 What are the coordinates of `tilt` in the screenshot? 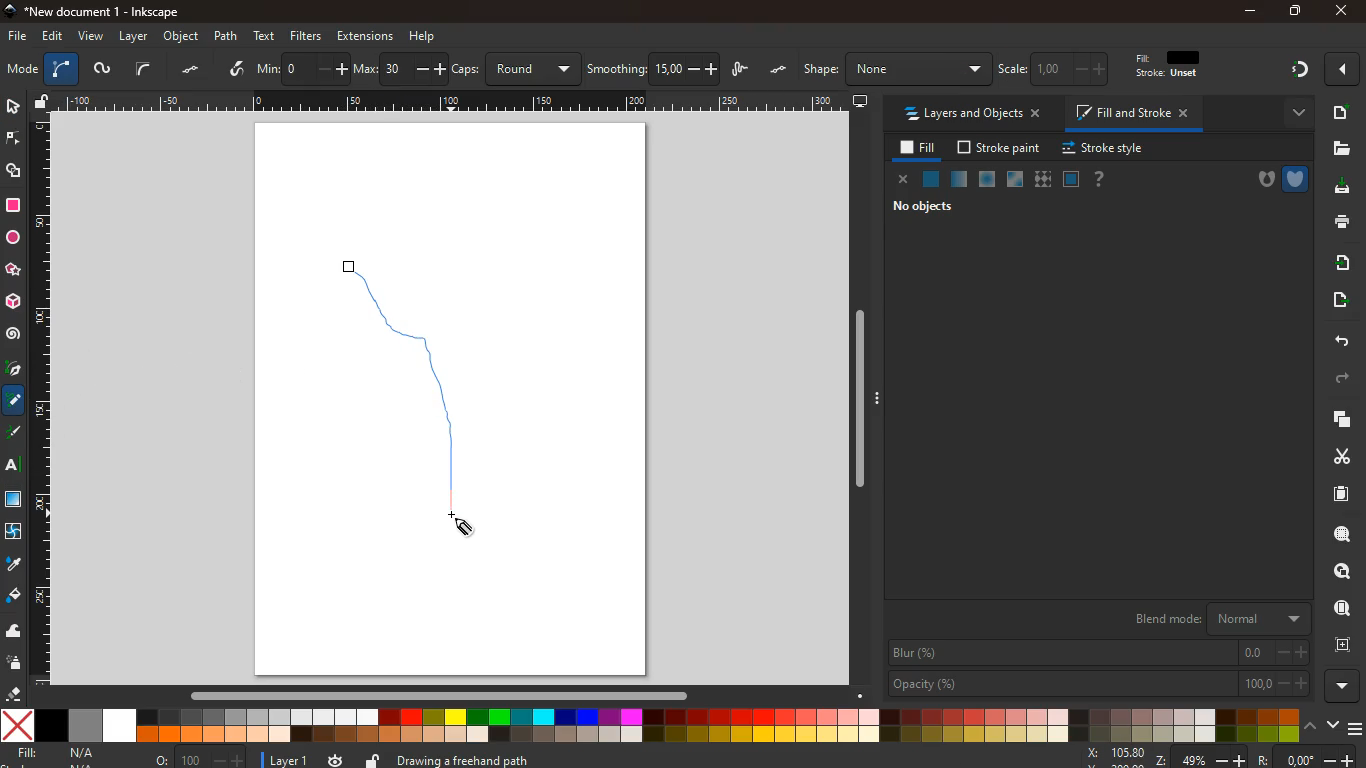 It's located at (234, 69).